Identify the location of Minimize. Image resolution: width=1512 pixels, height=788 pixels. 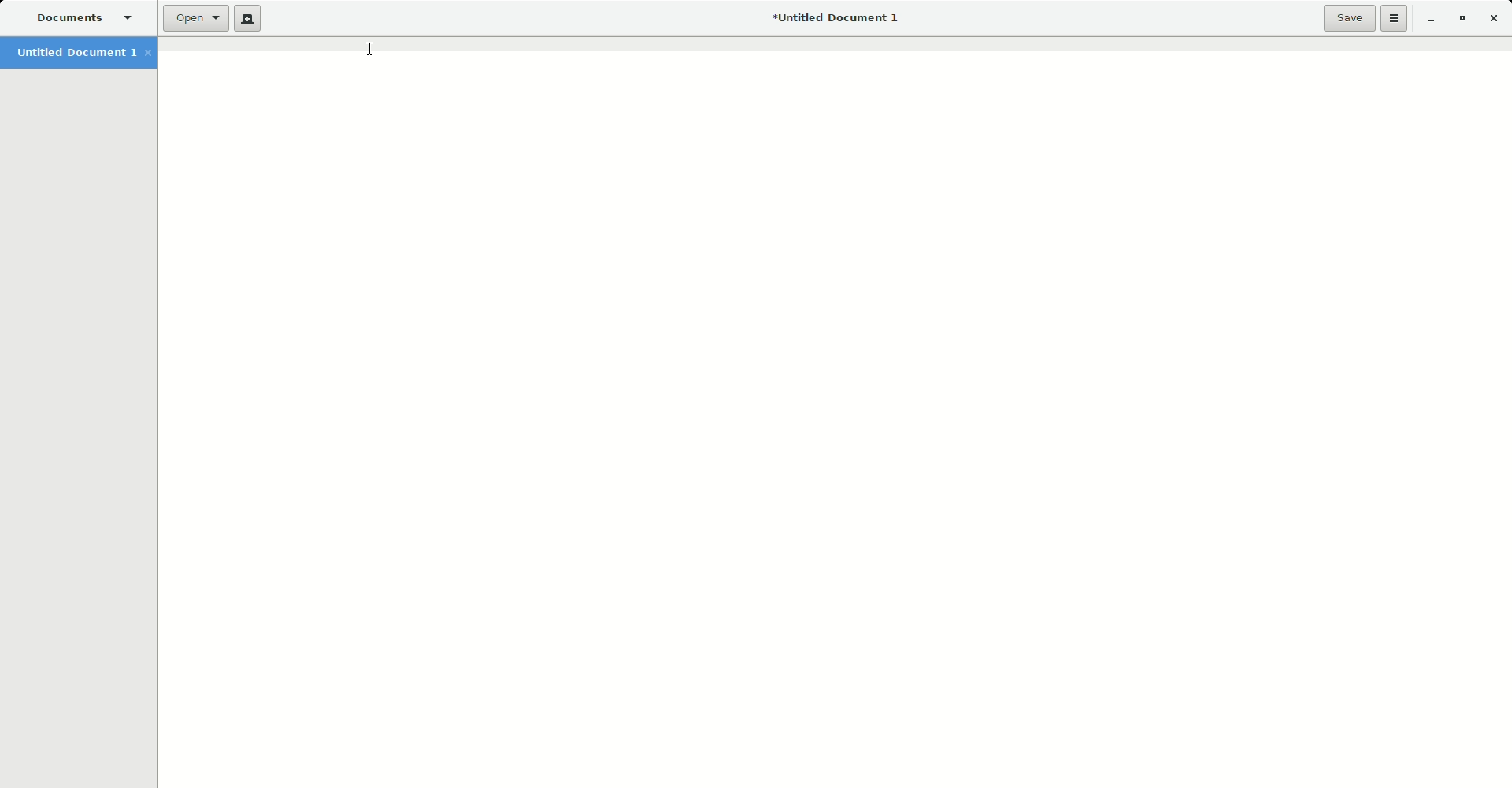
(1432, 19).